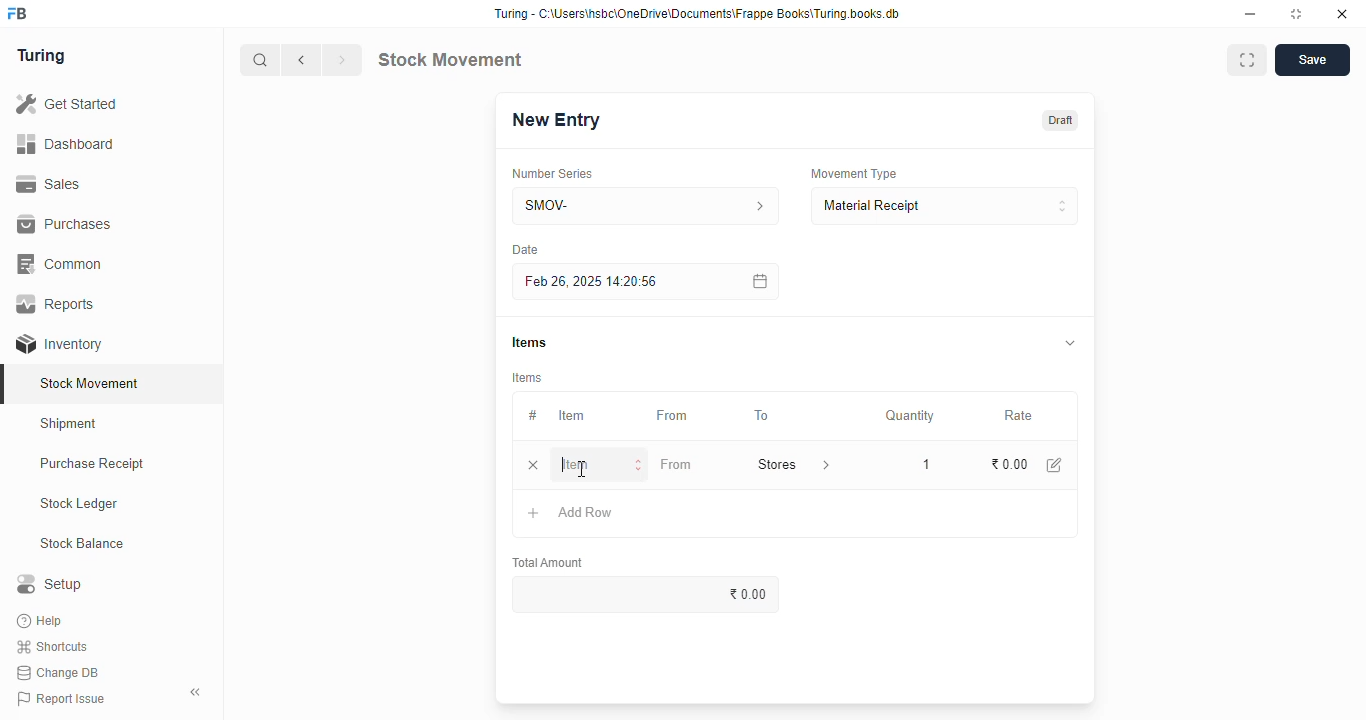 Image resolution: width=1366 pixels, height=720 pixels. Describe the element at coordinates (17, 13) in the screenshot. I see `FB-logo` at that location.